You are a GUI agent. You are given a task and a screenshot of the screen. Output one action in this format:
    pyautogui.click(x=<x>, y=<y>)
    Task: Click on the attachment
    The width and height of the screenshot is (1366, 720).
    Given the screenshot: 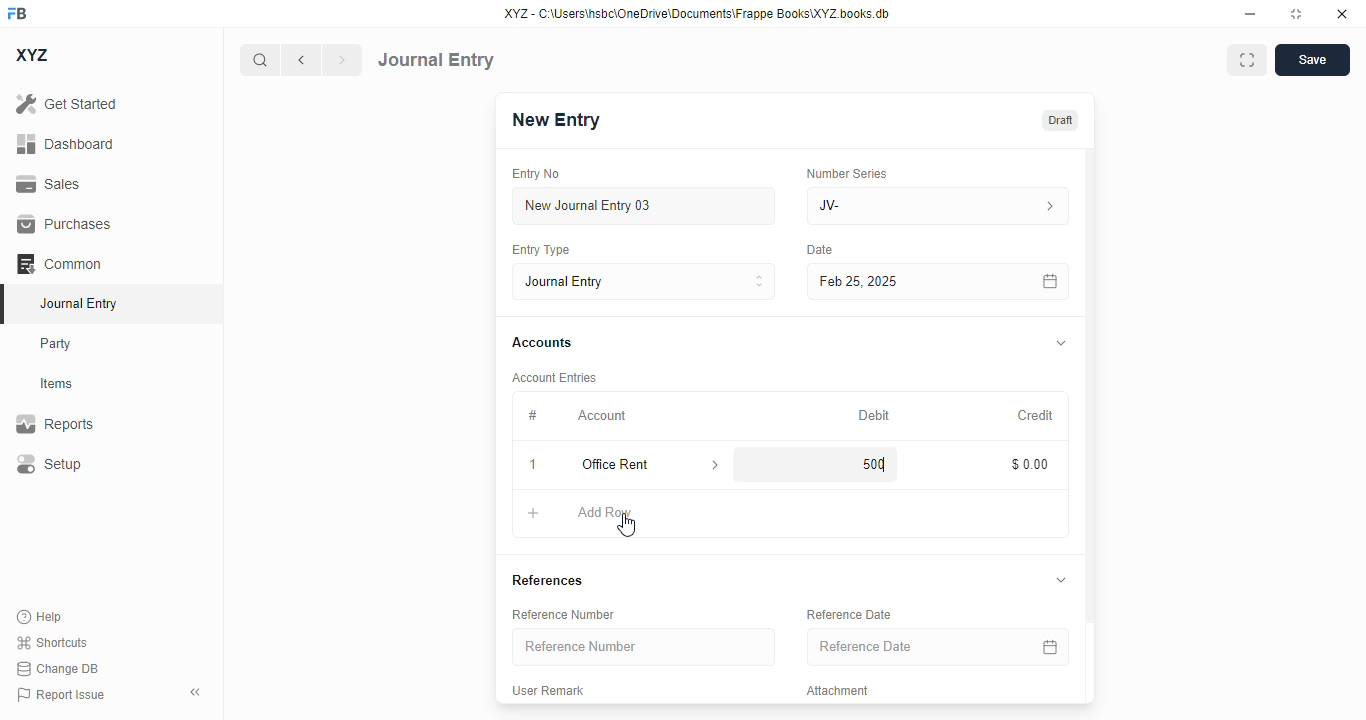 What is the action you would take?
    pyautogui.click(x=838, y=690)
    